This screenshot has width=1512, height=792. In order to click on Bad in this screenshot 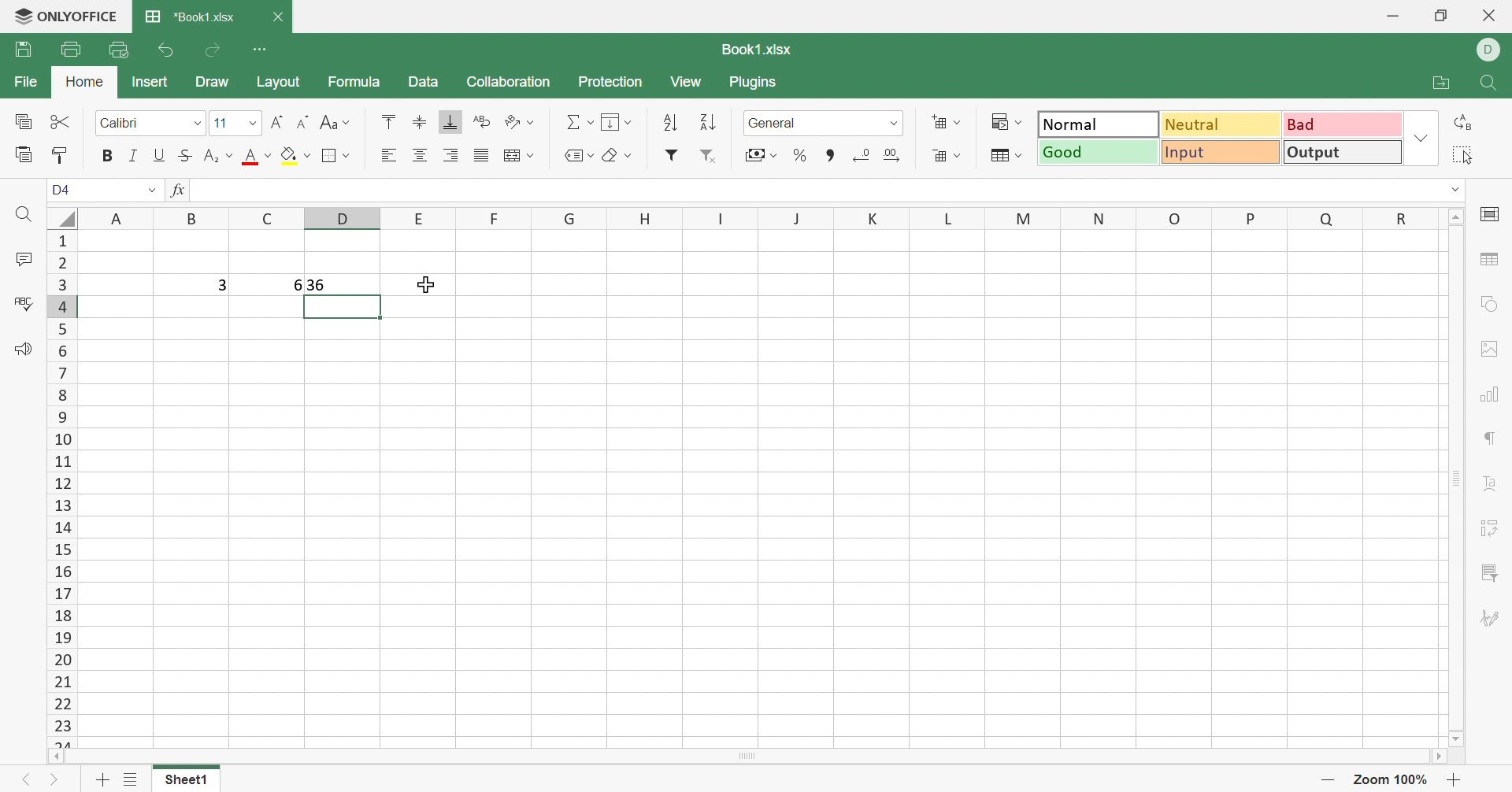, I will do `click(1343, 128)`.